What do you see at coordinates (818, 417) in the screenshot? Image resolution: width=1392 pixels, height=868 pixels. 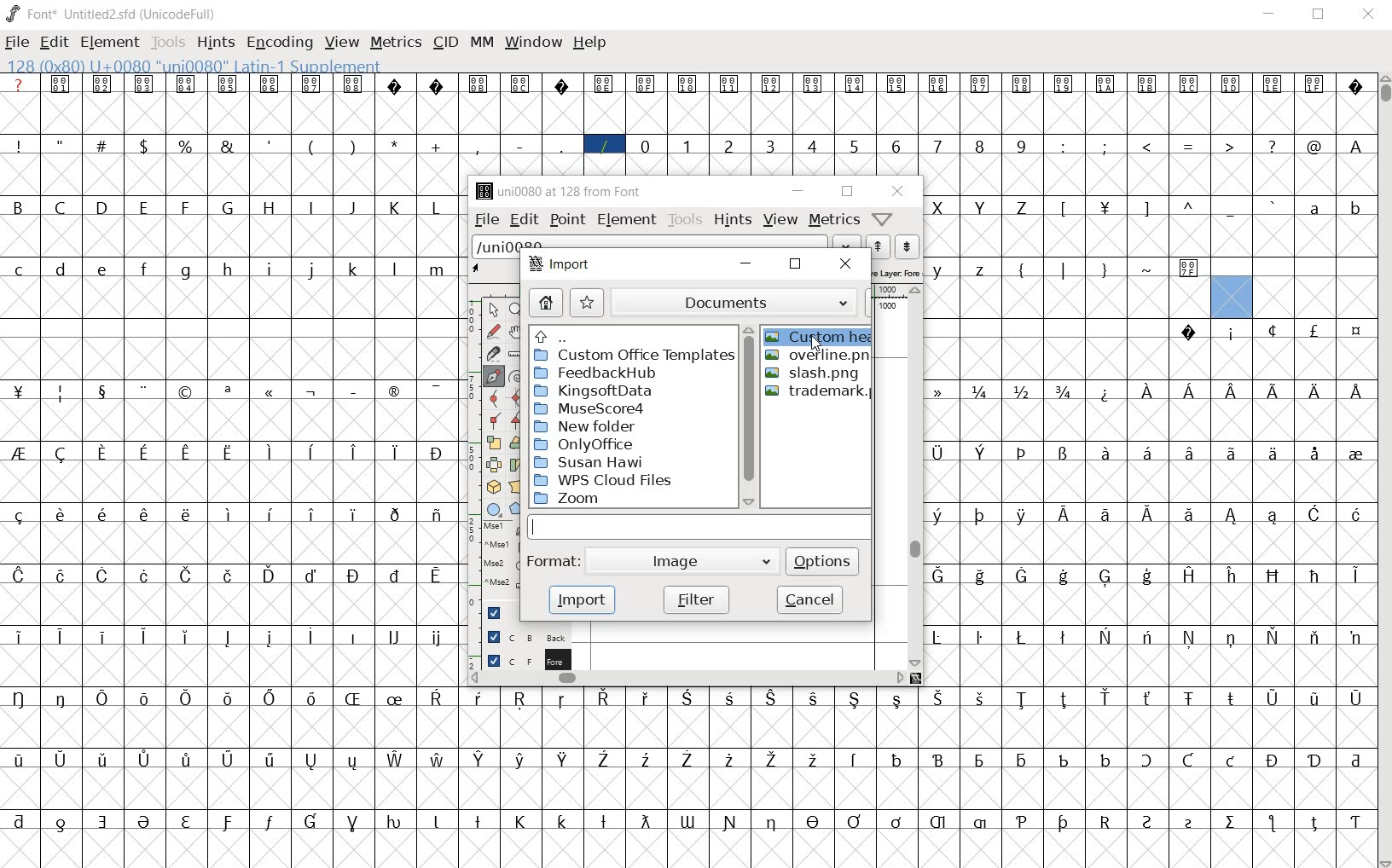 I see `files` at bounding box center [818, 417].